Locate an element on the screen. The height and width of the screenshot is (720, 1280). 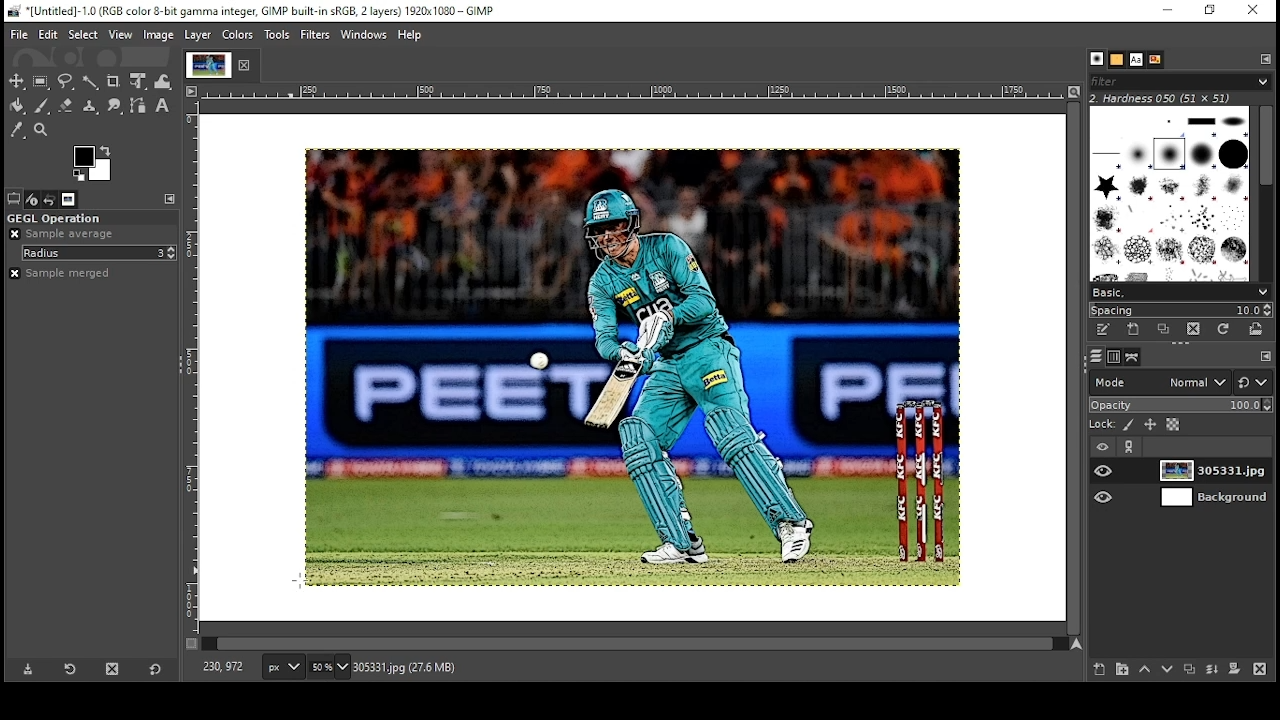
add mask is located at coordinates (1235, 671).